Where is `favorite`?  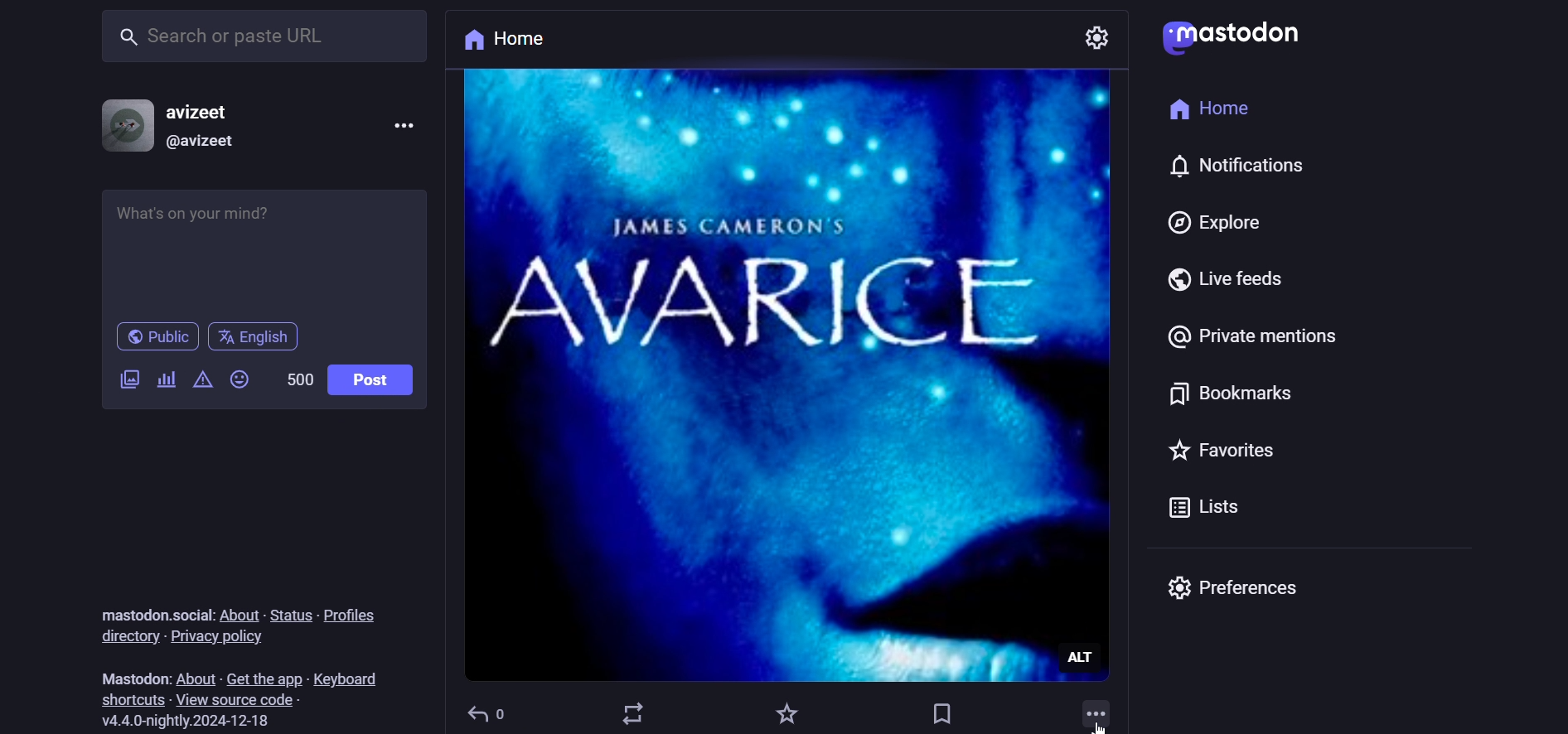
favorite is located at coordinates (784, 711).